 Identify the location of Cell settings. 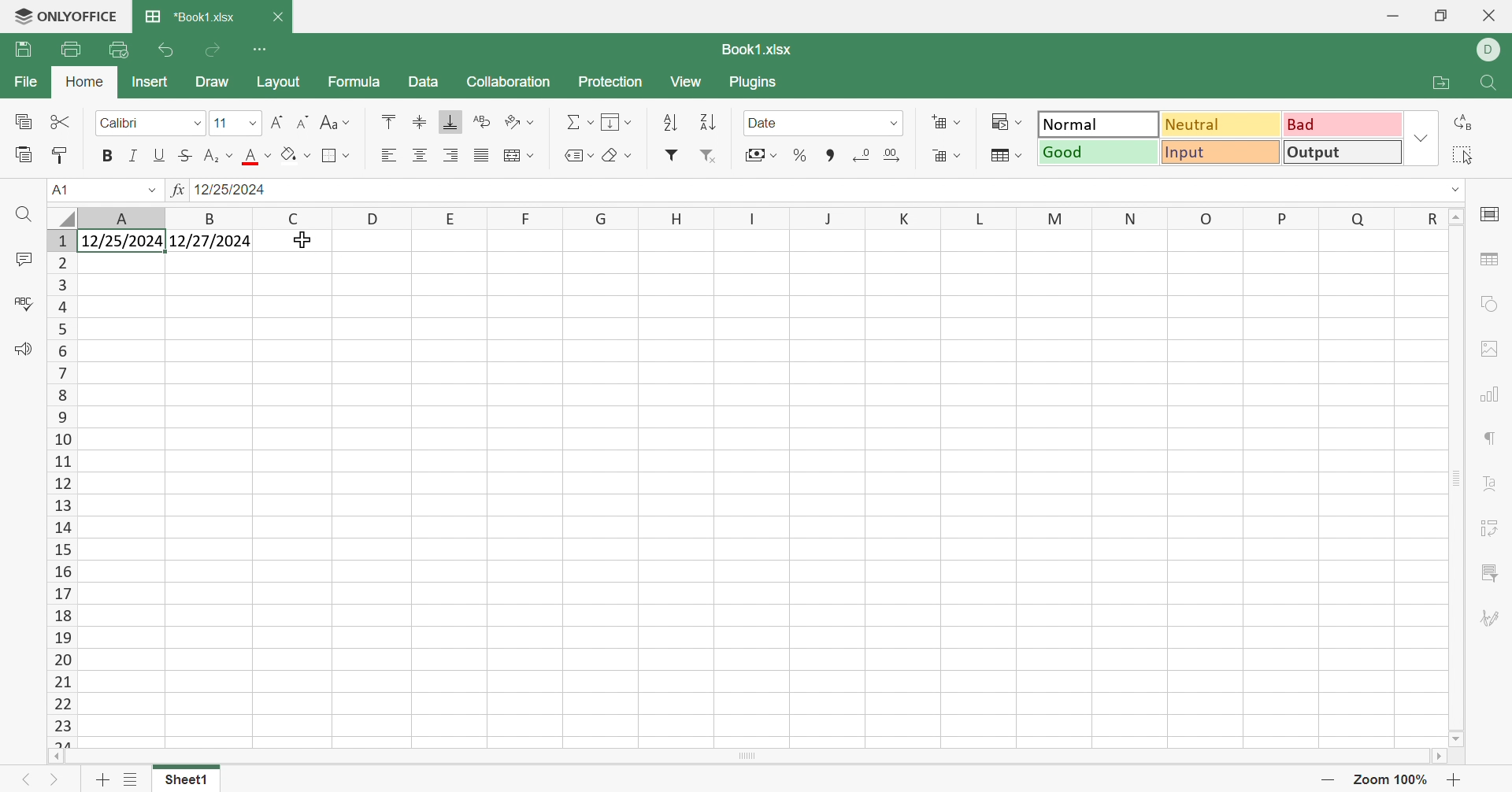
(1492, 218).